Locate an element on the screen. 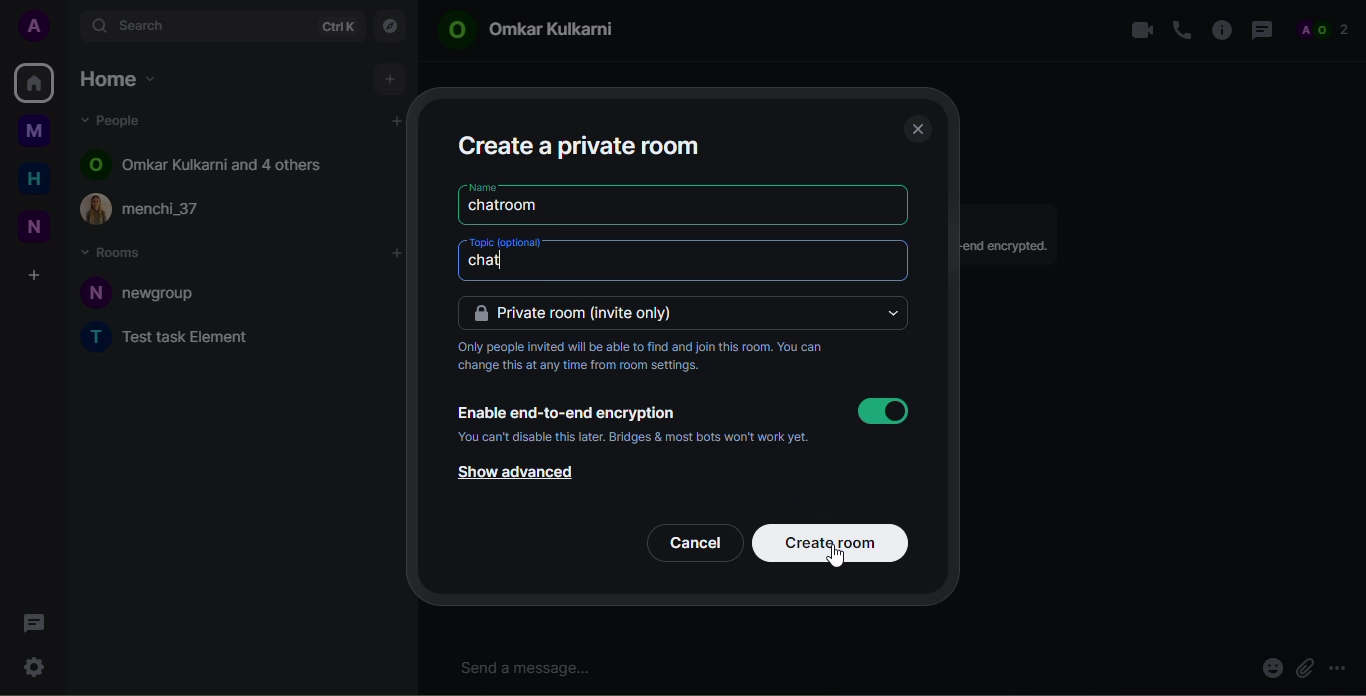  new is located at coordinates (34, 228).